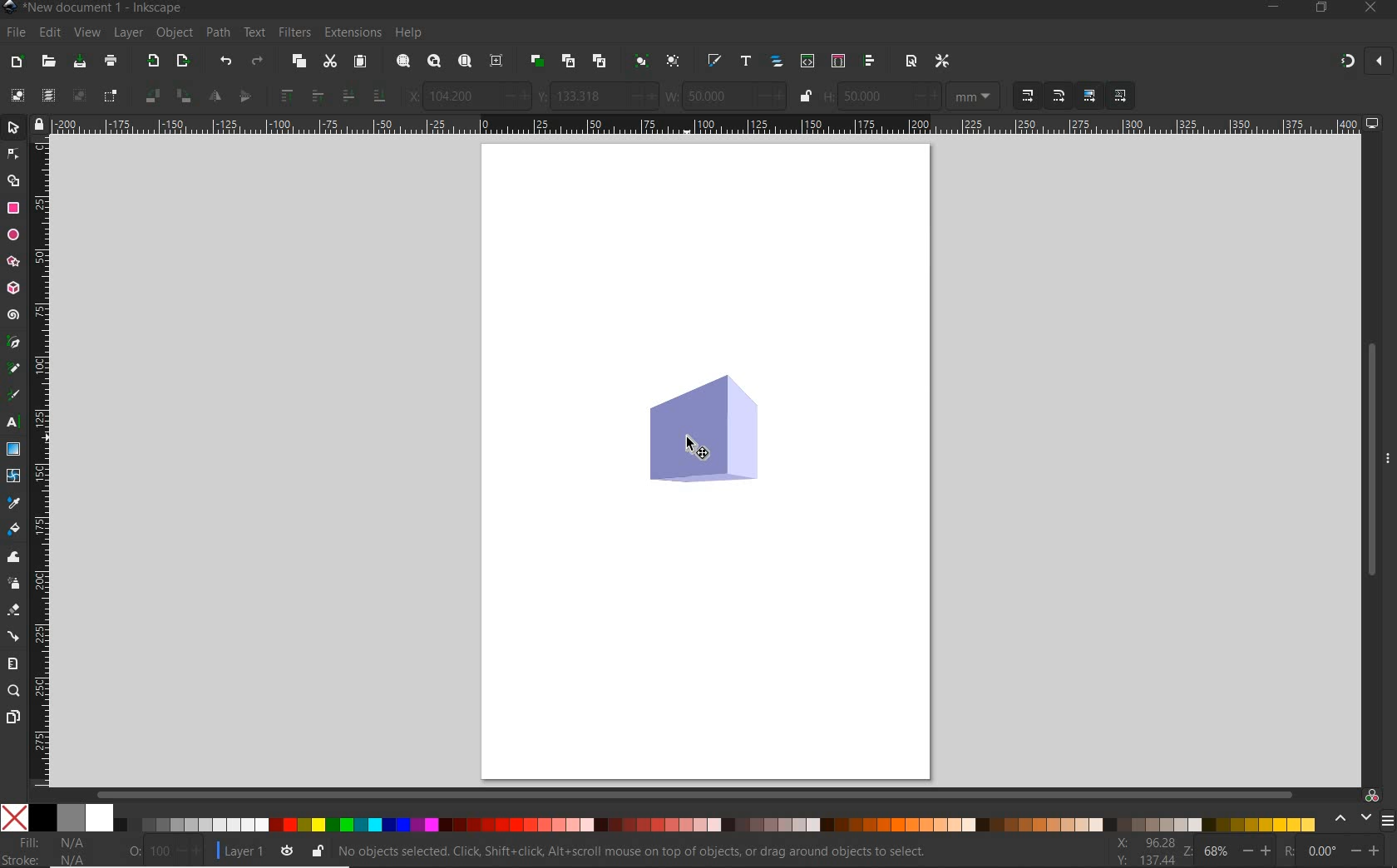 The width and height of the screenshot is (1397, 868). What do you see at coordinates (598, 61) in the screenshot?
I see `unlink clone` at bounding box center [598, 61].